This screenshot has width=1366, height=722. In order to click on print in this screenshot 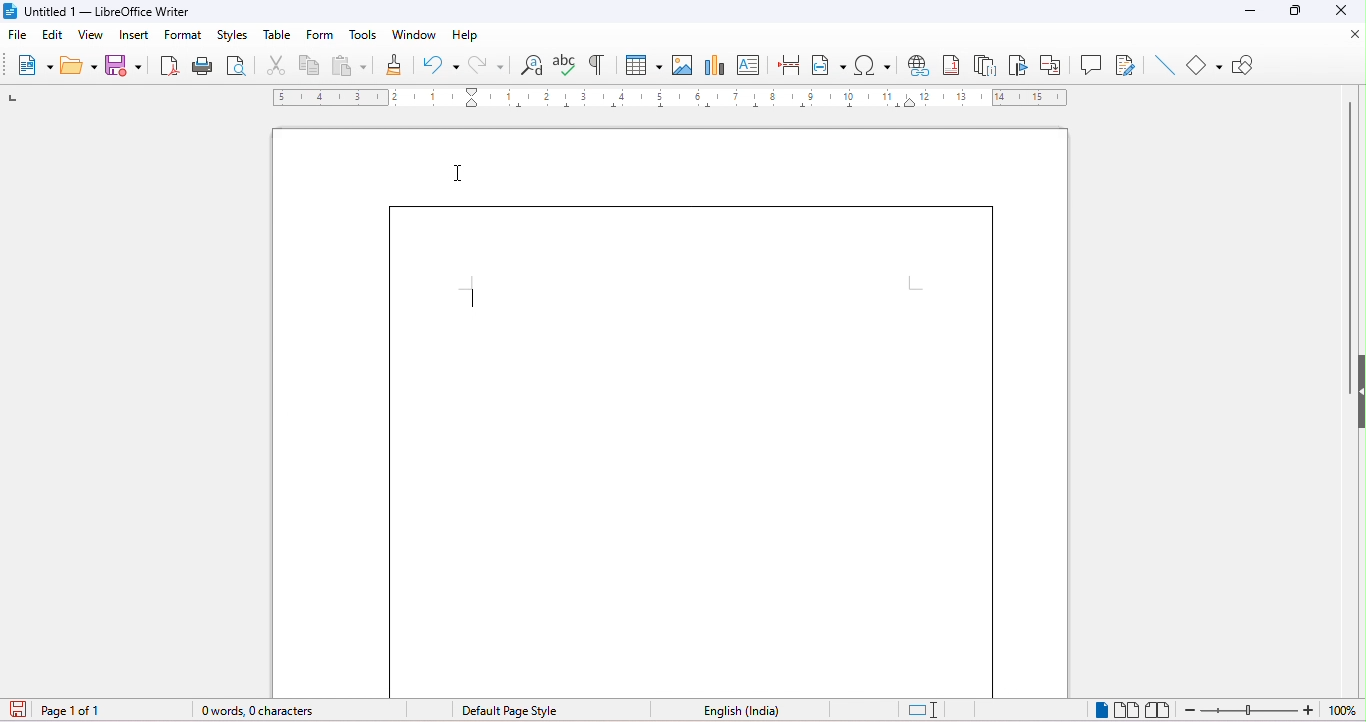, I will do `click(202, 67)`.